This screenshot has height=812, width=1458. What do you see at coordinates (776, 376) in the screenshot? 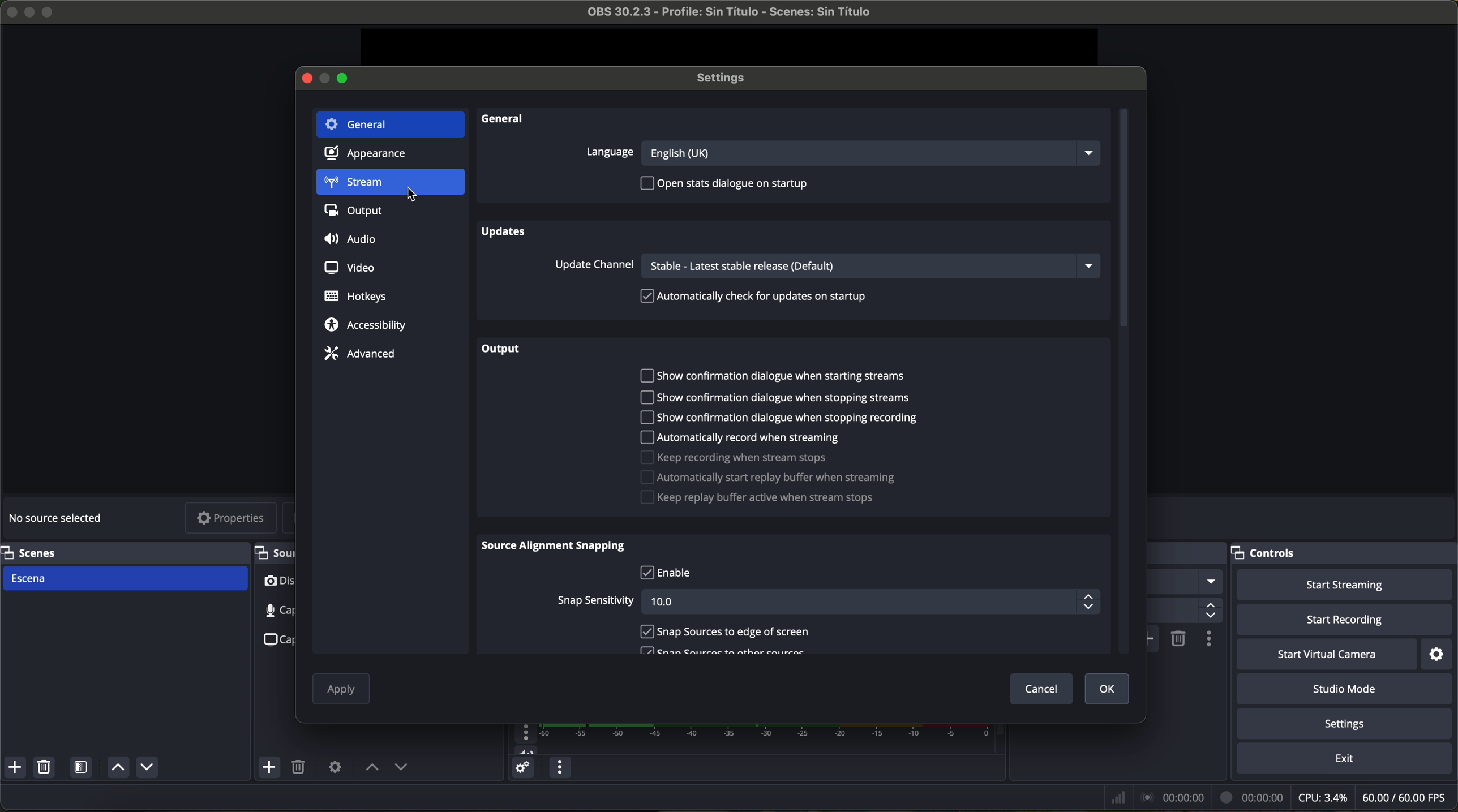
I see `show confirmation dialogue when starting streams` at bounding box center [776, 376].